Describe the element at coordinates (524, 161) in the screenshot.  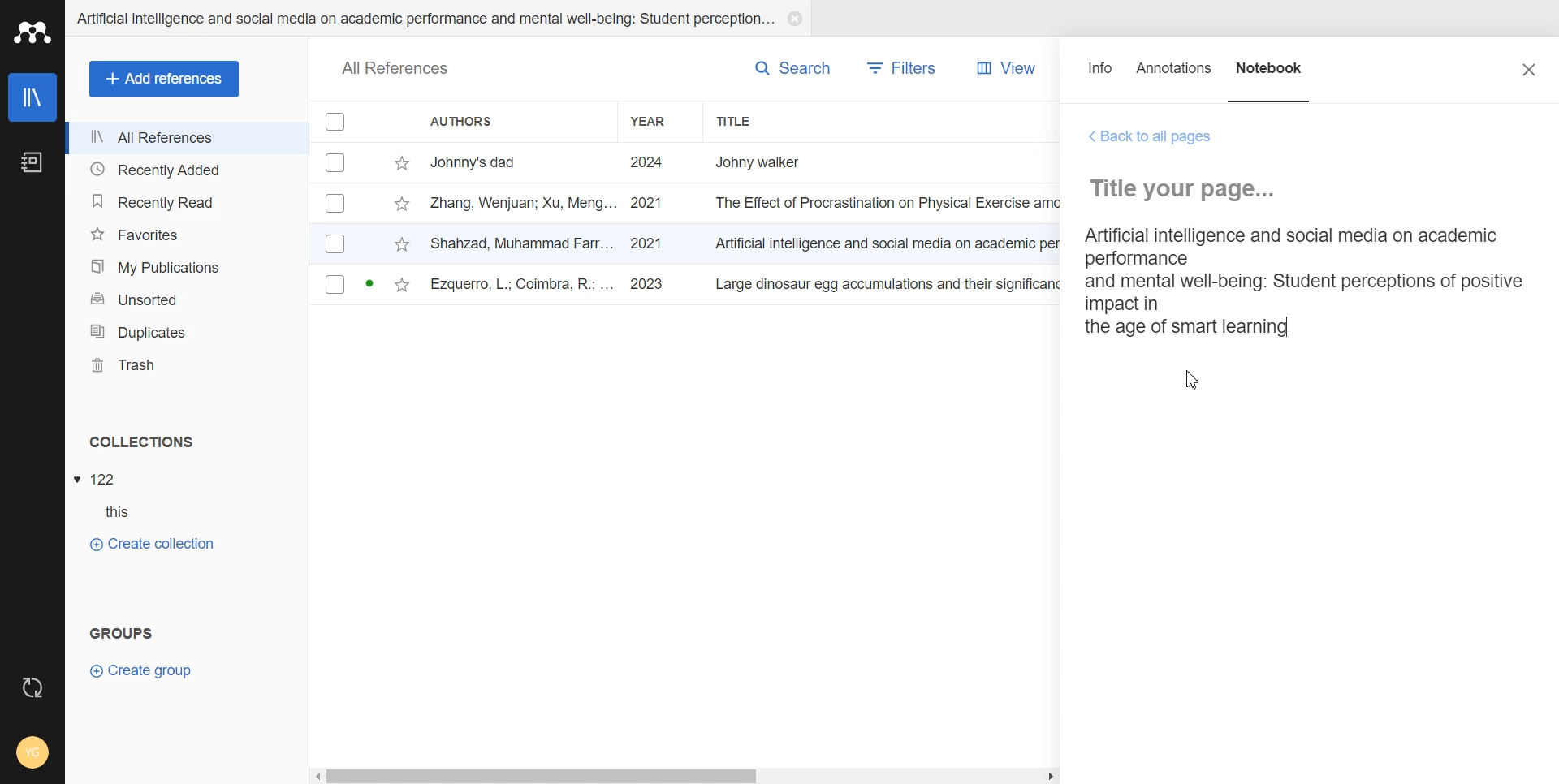
I see `johnny's dad` at that location.